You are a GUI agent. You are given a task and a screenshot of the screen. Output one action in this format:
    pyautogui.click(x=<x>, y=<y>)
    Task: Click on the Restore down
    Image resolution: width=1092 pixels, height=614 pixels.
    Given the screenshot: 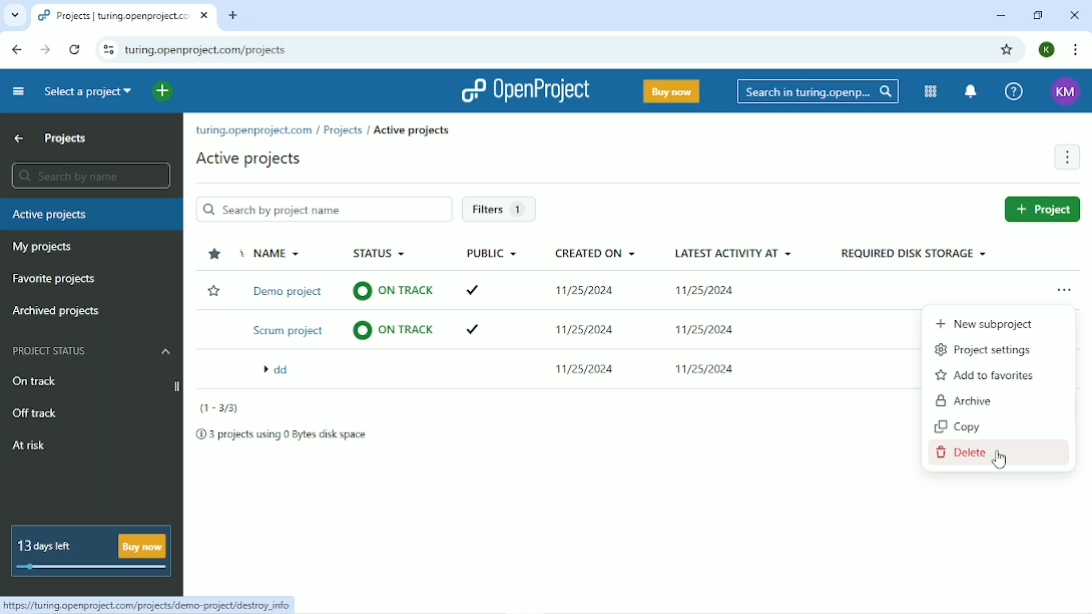 What is the action you would take?
    pyautogui.click(x=1037, y=16)
    